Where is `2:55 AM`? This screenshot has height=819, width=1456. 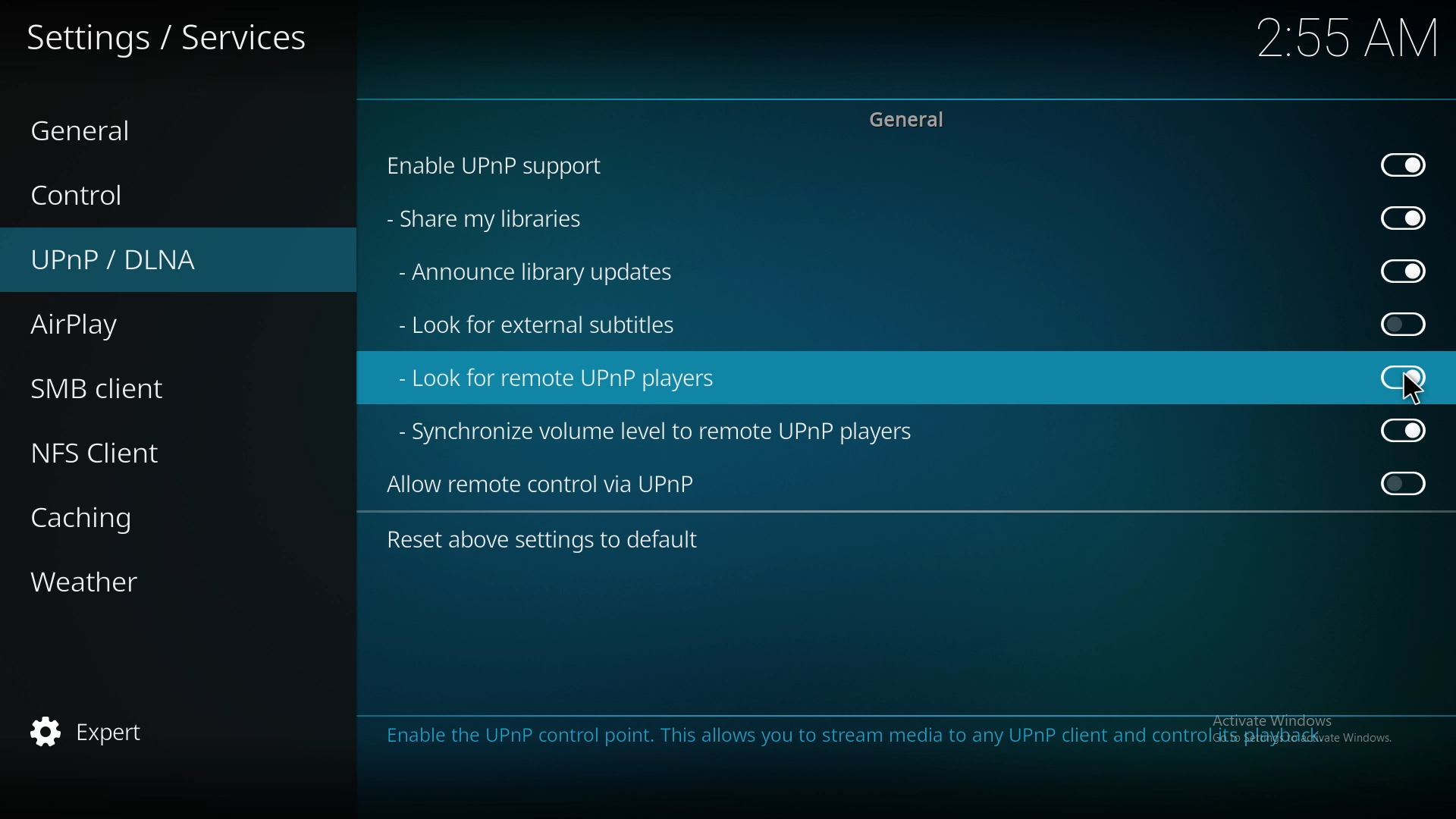 2:55 AM is located at coordinates (1344, 43).